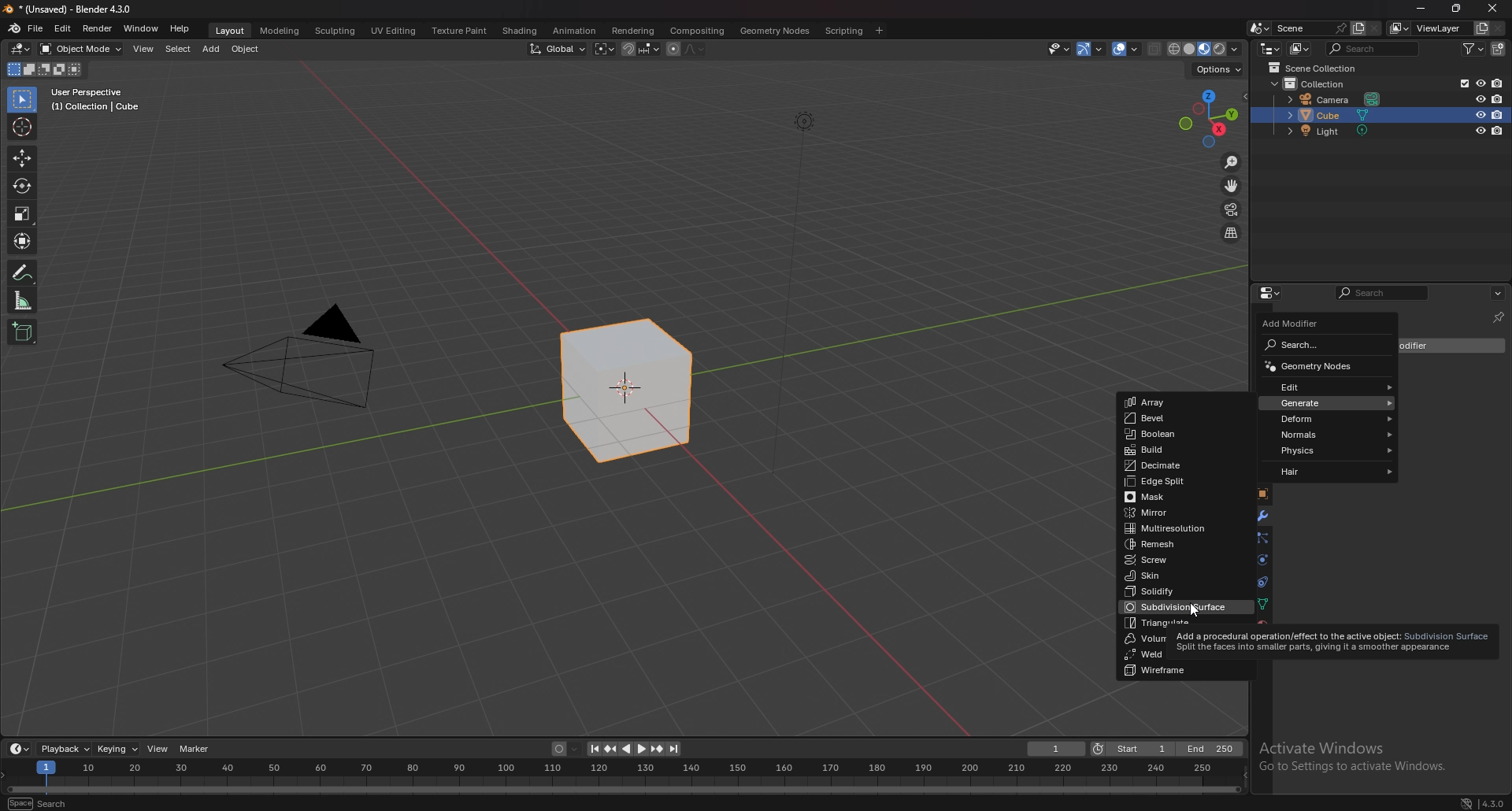 This screenshot has height=811, width=1512. What do you see at coordinates (1494, 8) in the screenshot?
I see `close` at bounding box center [1494, 8].